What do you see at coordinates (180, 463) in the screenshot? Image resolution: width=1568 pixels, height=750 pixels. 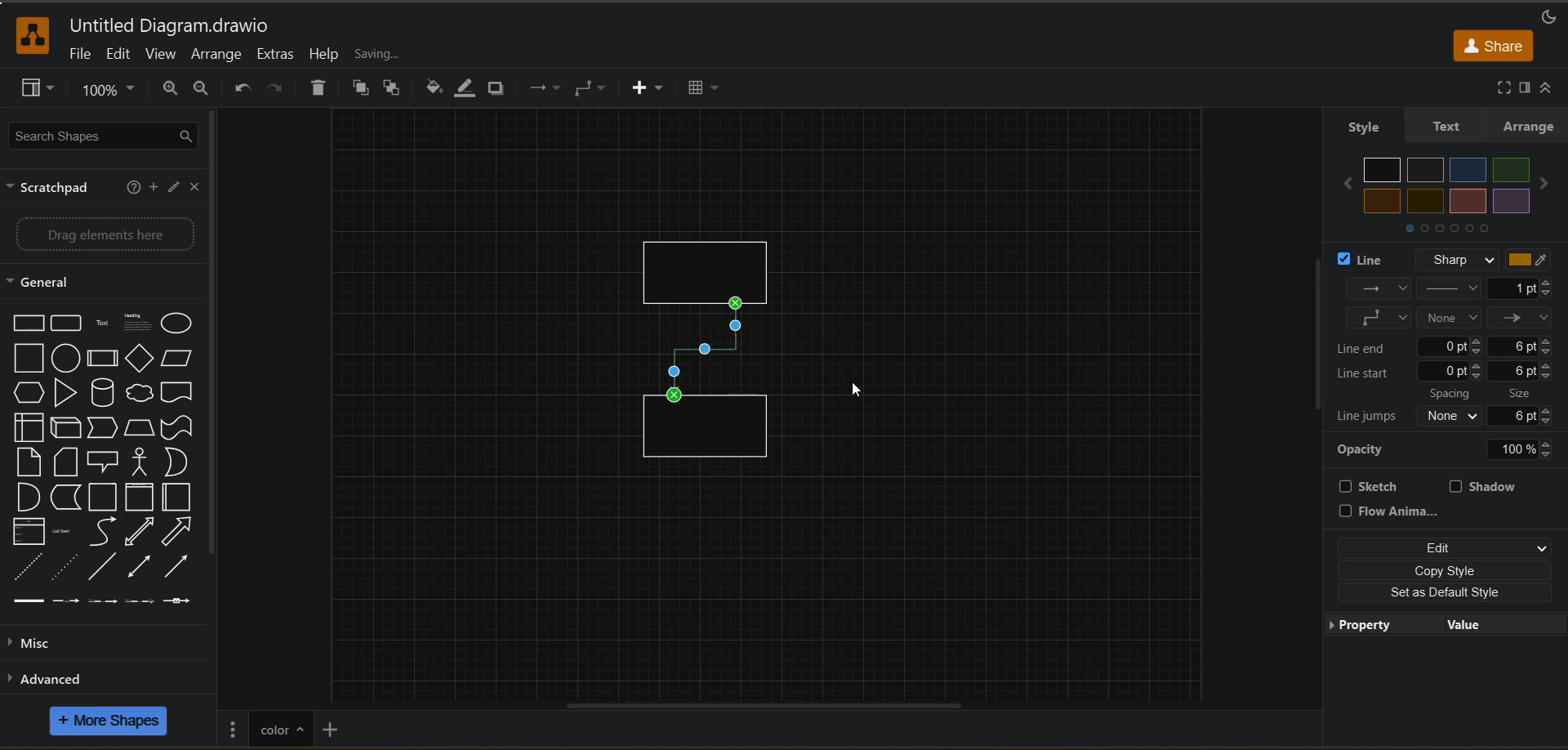 I see `OR` at bounding box center [180, 463].